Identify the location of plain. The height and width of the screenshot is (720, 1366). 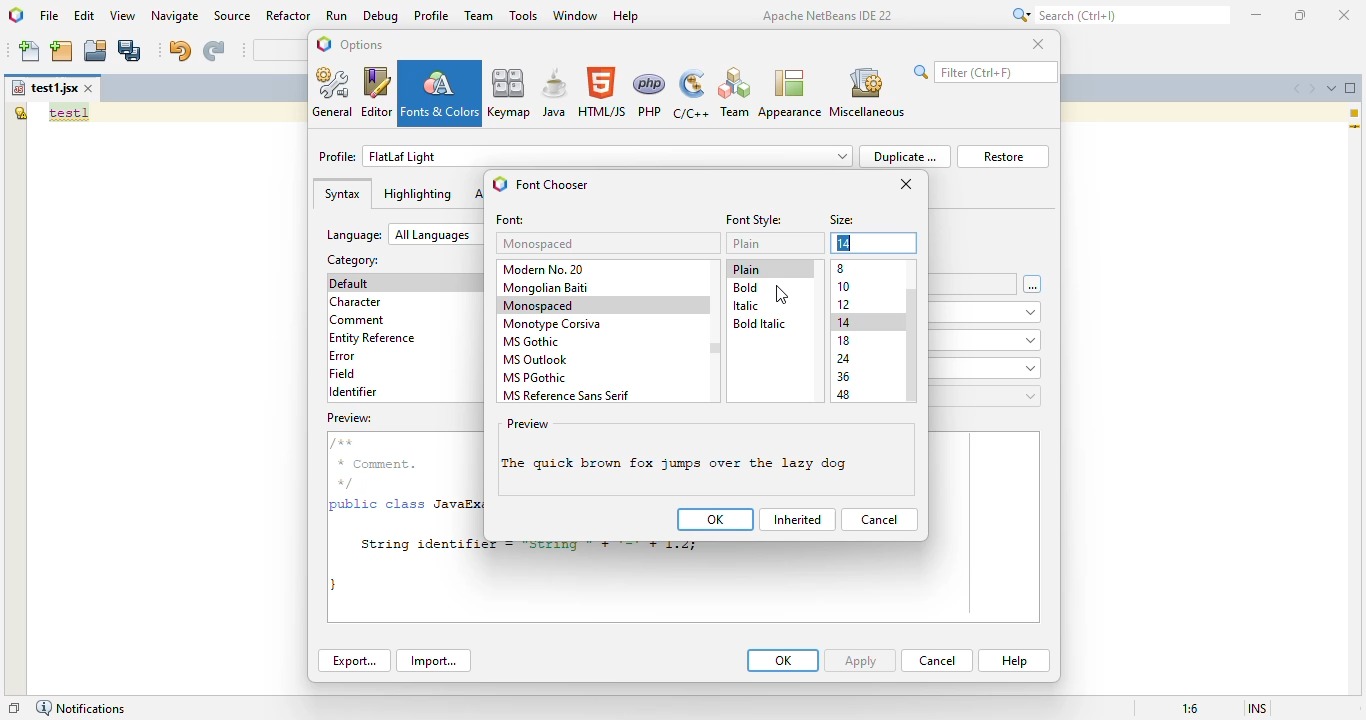
(747, 269).